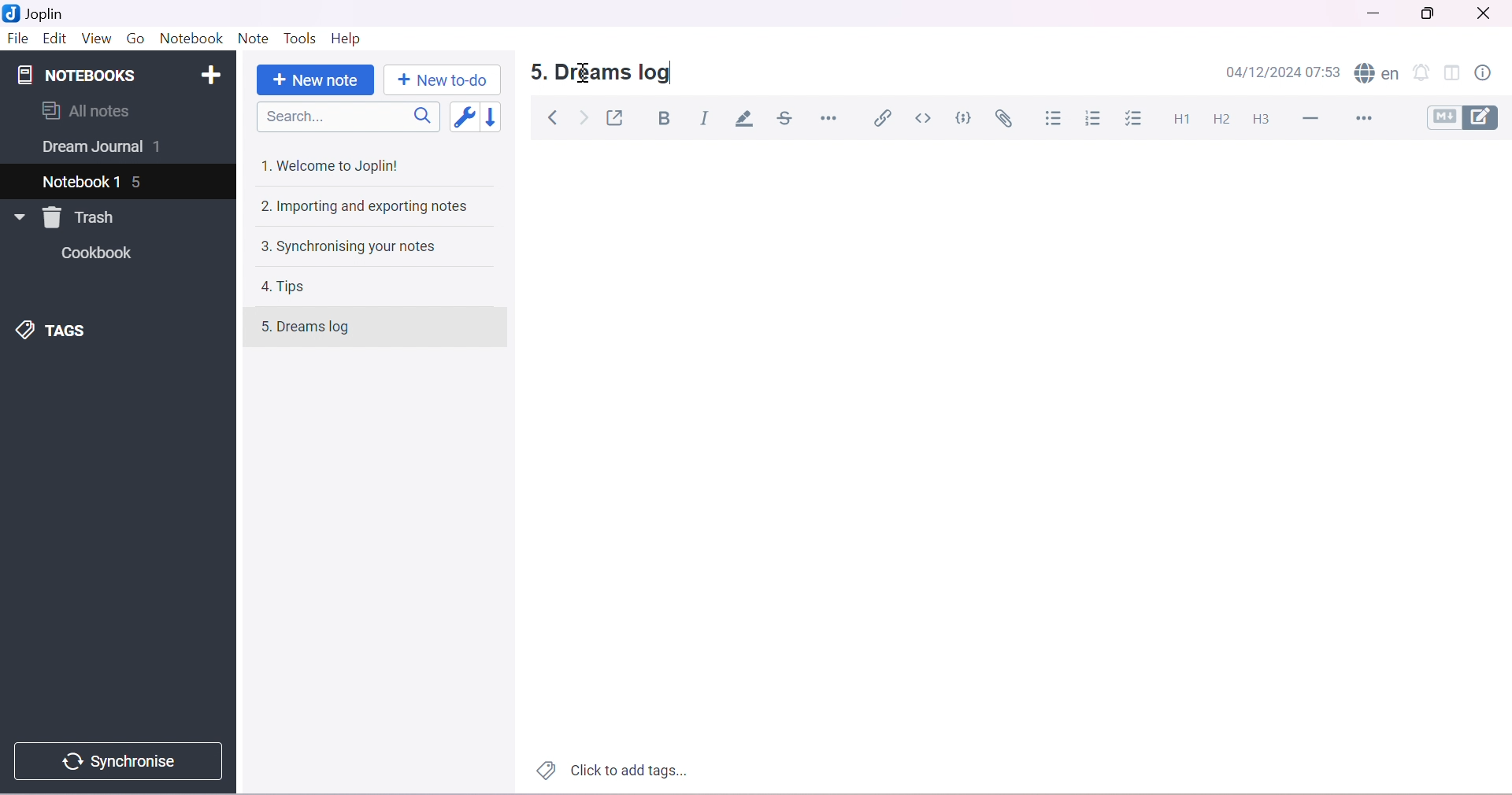  I want to click on Spell checker, so click(1378, 74).